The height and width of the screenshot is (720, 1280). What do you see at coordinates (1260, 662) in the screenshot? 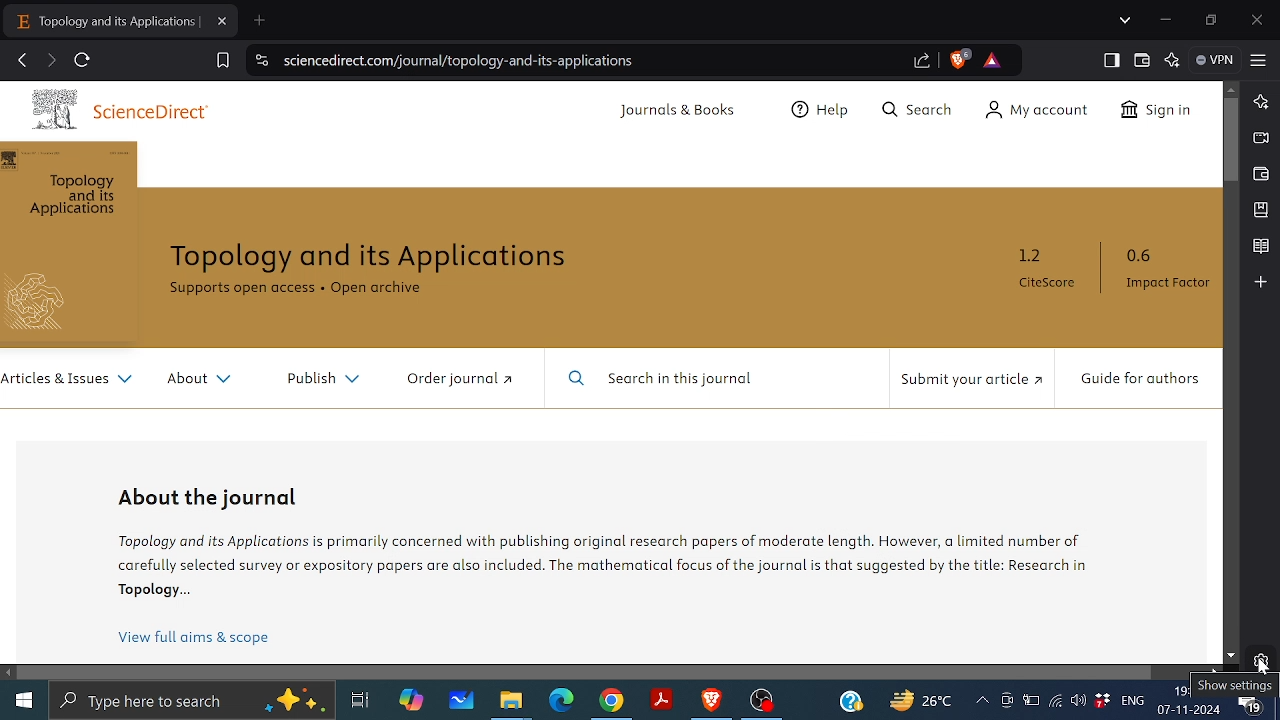
I see `Settings` at bounding box center [1260, 662].